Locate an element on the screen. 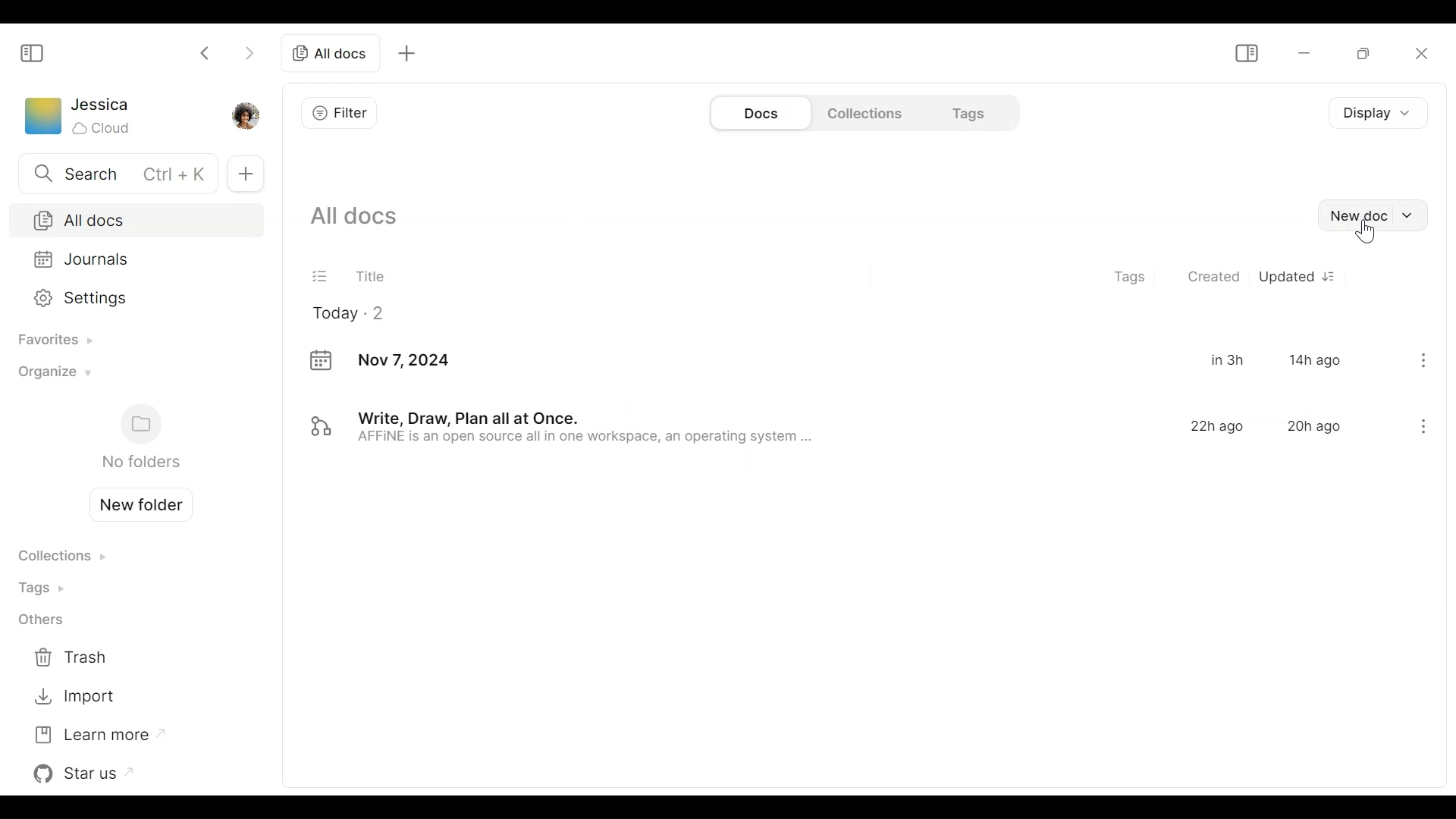  Import is located at coordinates (74, 697).